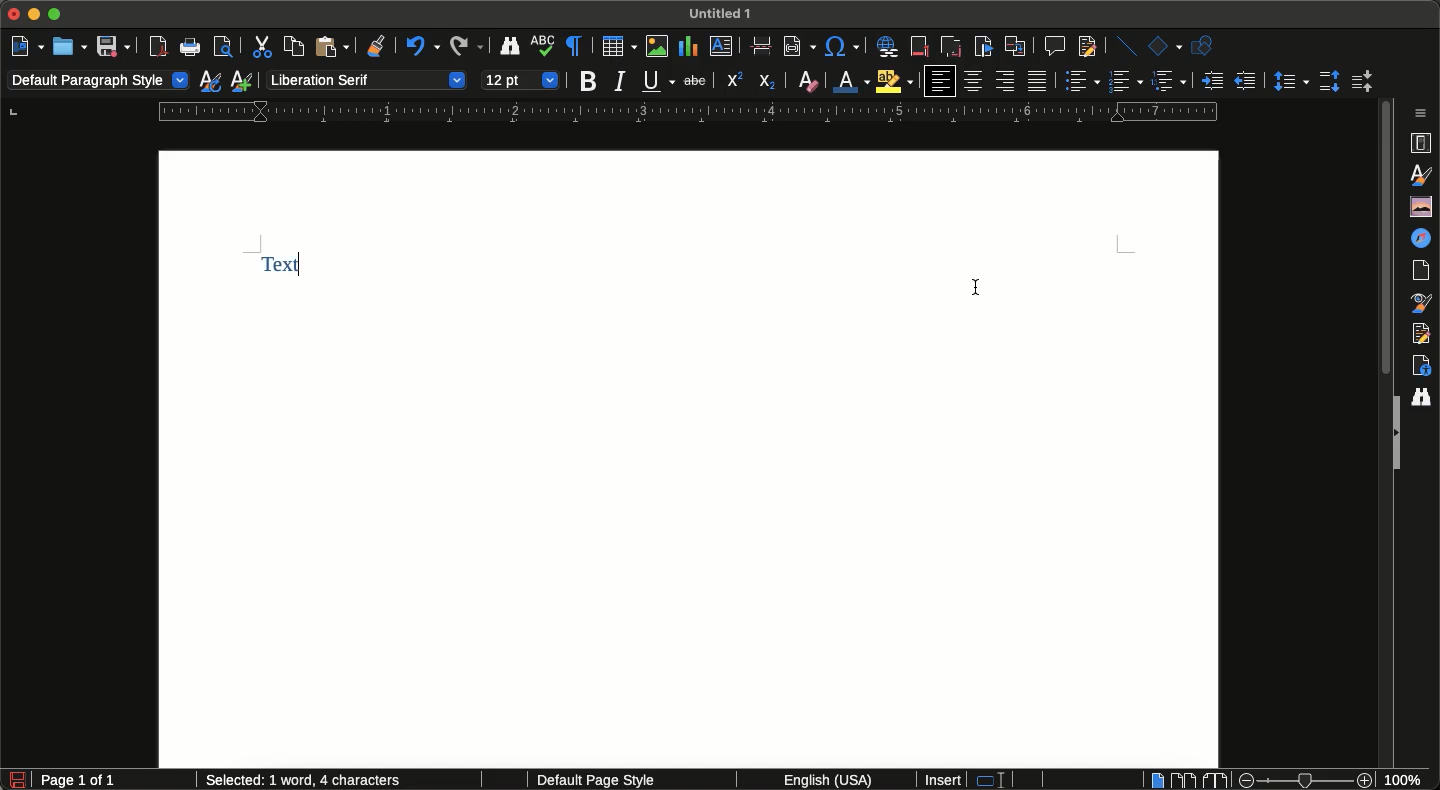  Describe the element at coordinates (693, 82) in the screenshot. I see `Strikethrough` at that location.